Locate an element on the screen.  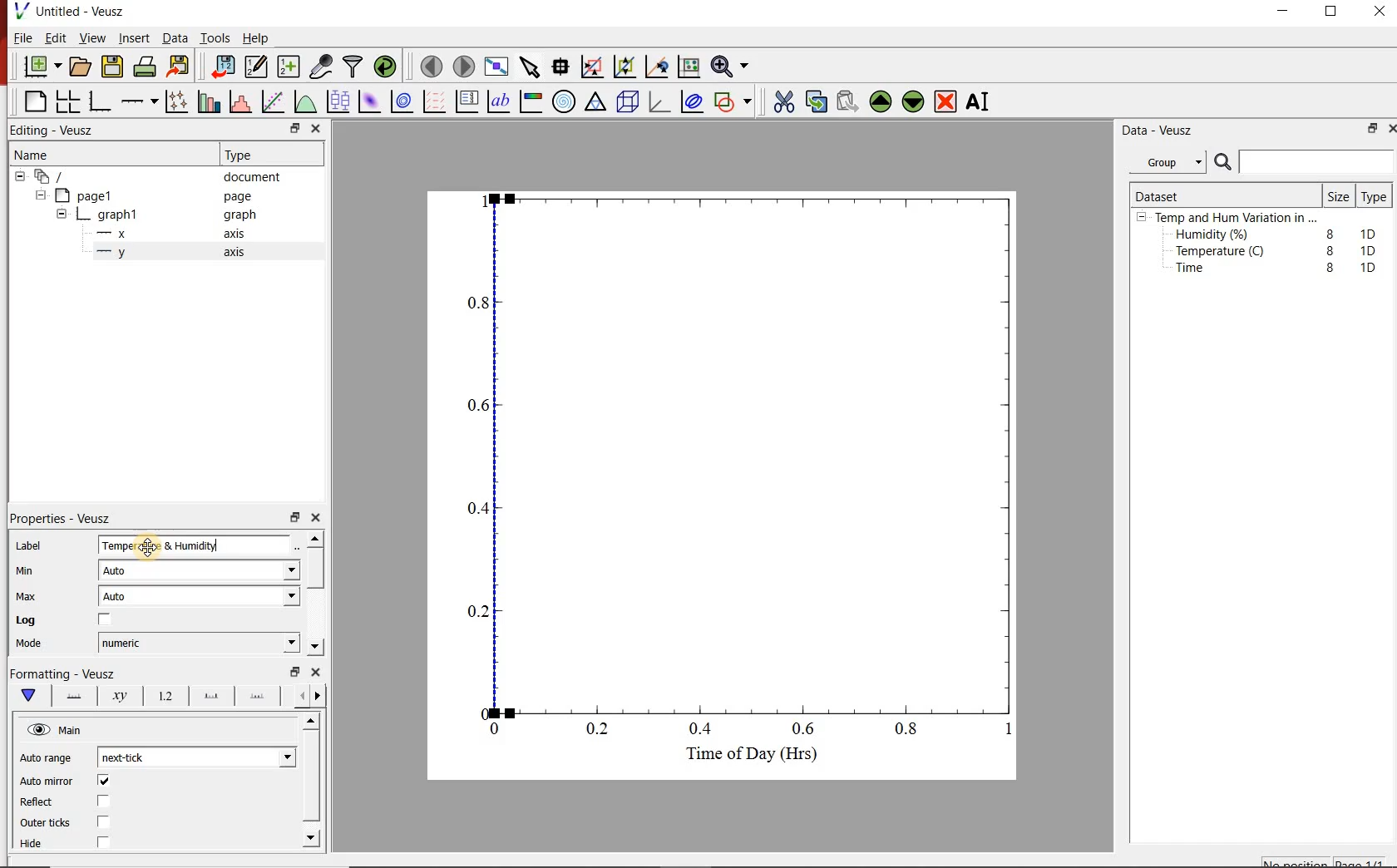
Search bar is located at coordinates (1304, 162).